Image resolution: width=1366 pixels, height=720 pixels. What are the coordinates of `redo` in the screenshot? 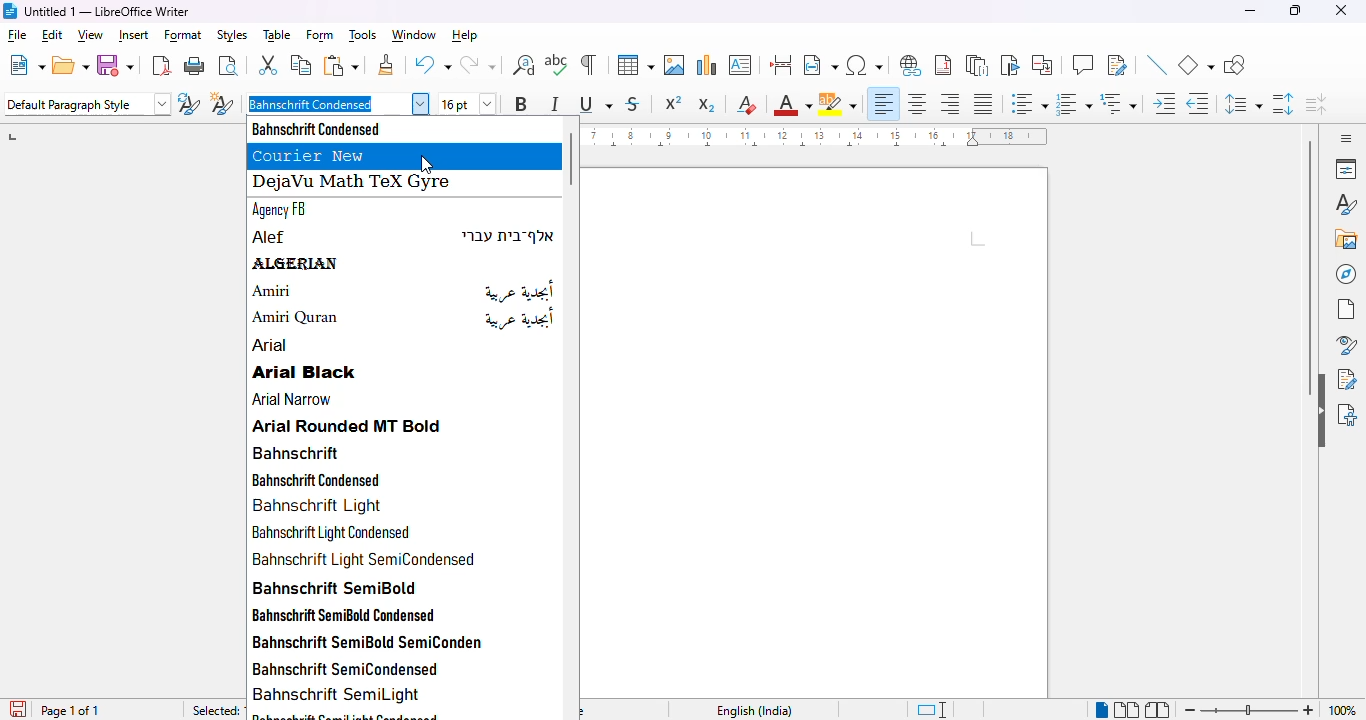 It's located at (478, 65).